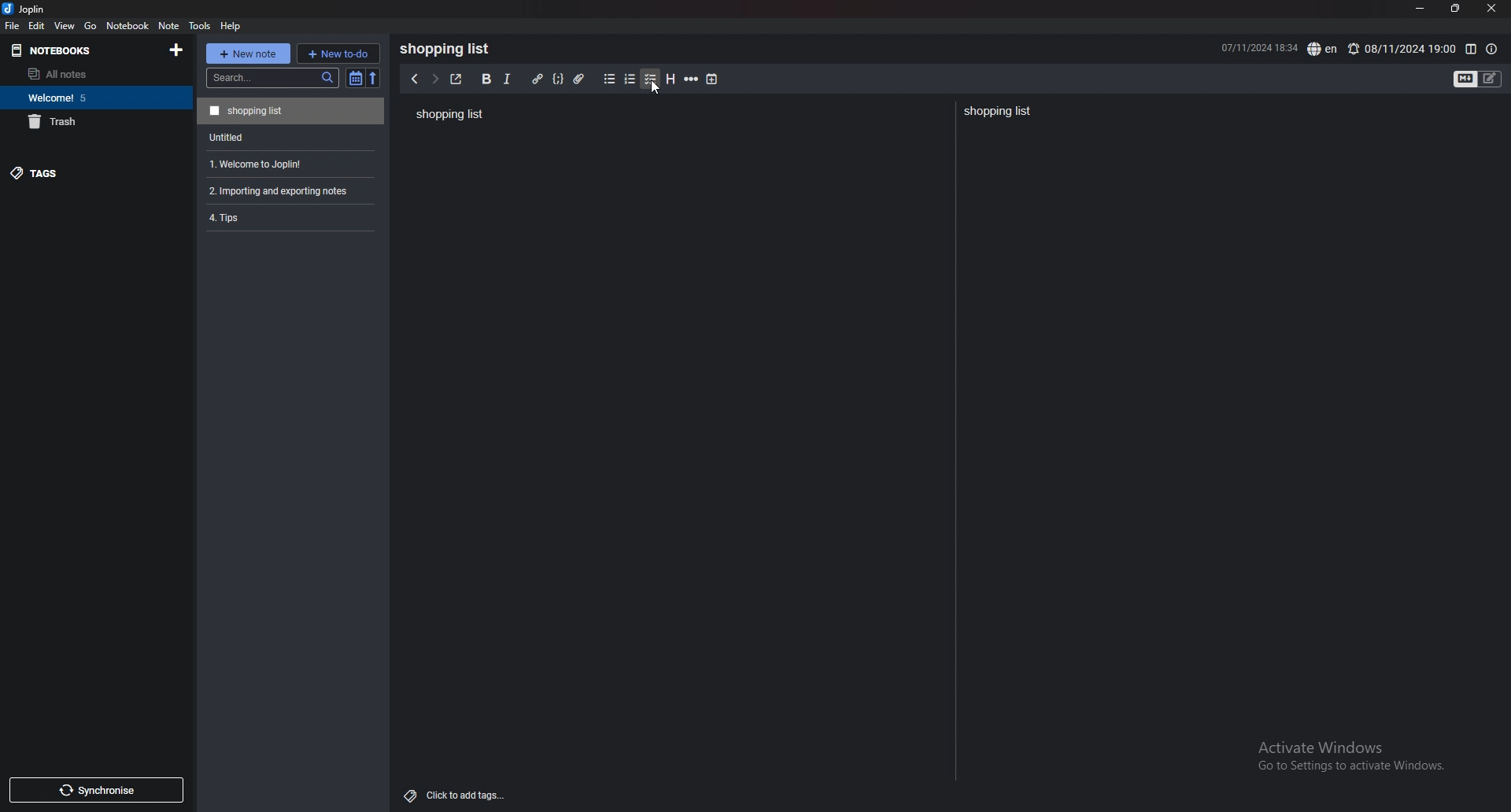 The width and height of the screenshot is (1511, 812). Describe the element at coordinates (288, 136) in the screenshot. I see `Untitled` at that location.